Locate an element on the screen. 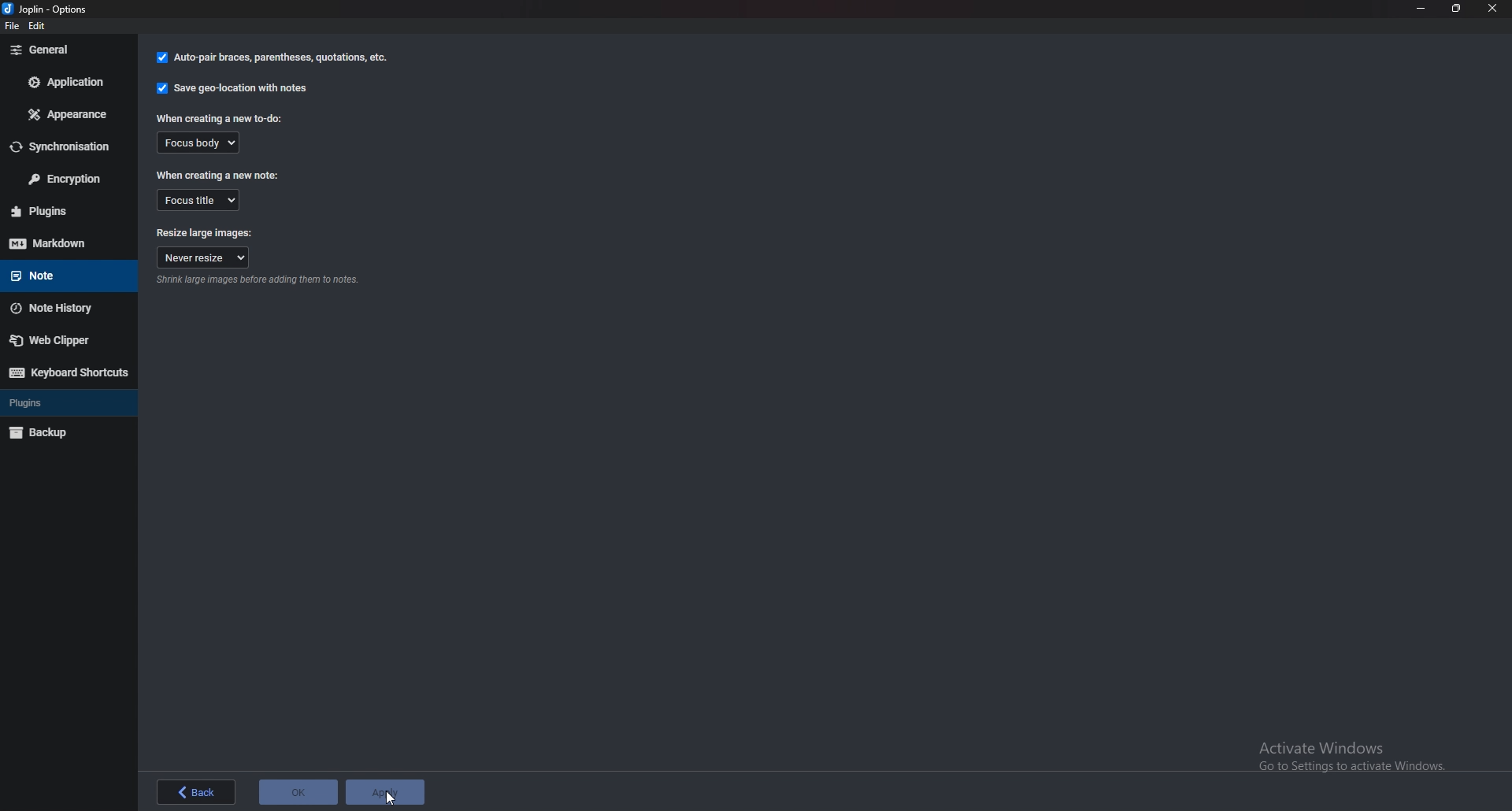 This screenshot has width=1512, height=811. Resize is located at coordinates (1456, 9).